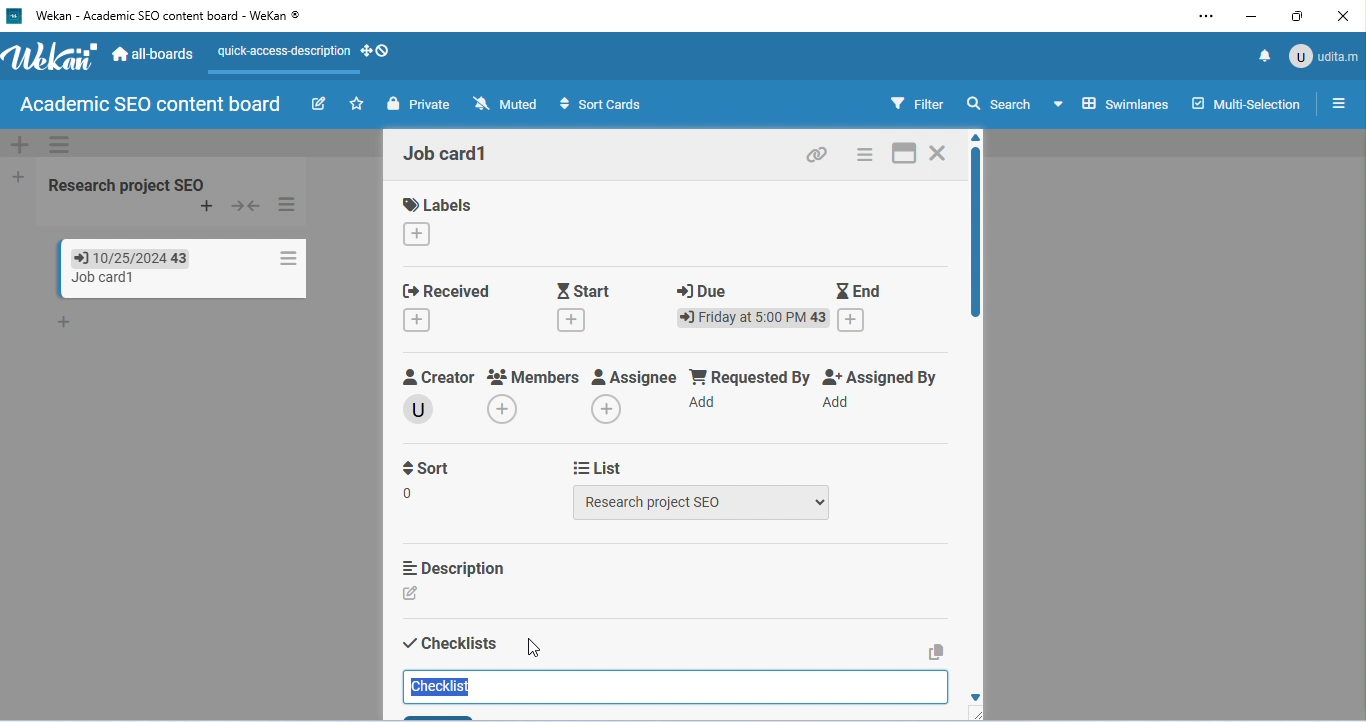 This screenshot has height=722, width=1366. I want to click on start, so click(587, 289).